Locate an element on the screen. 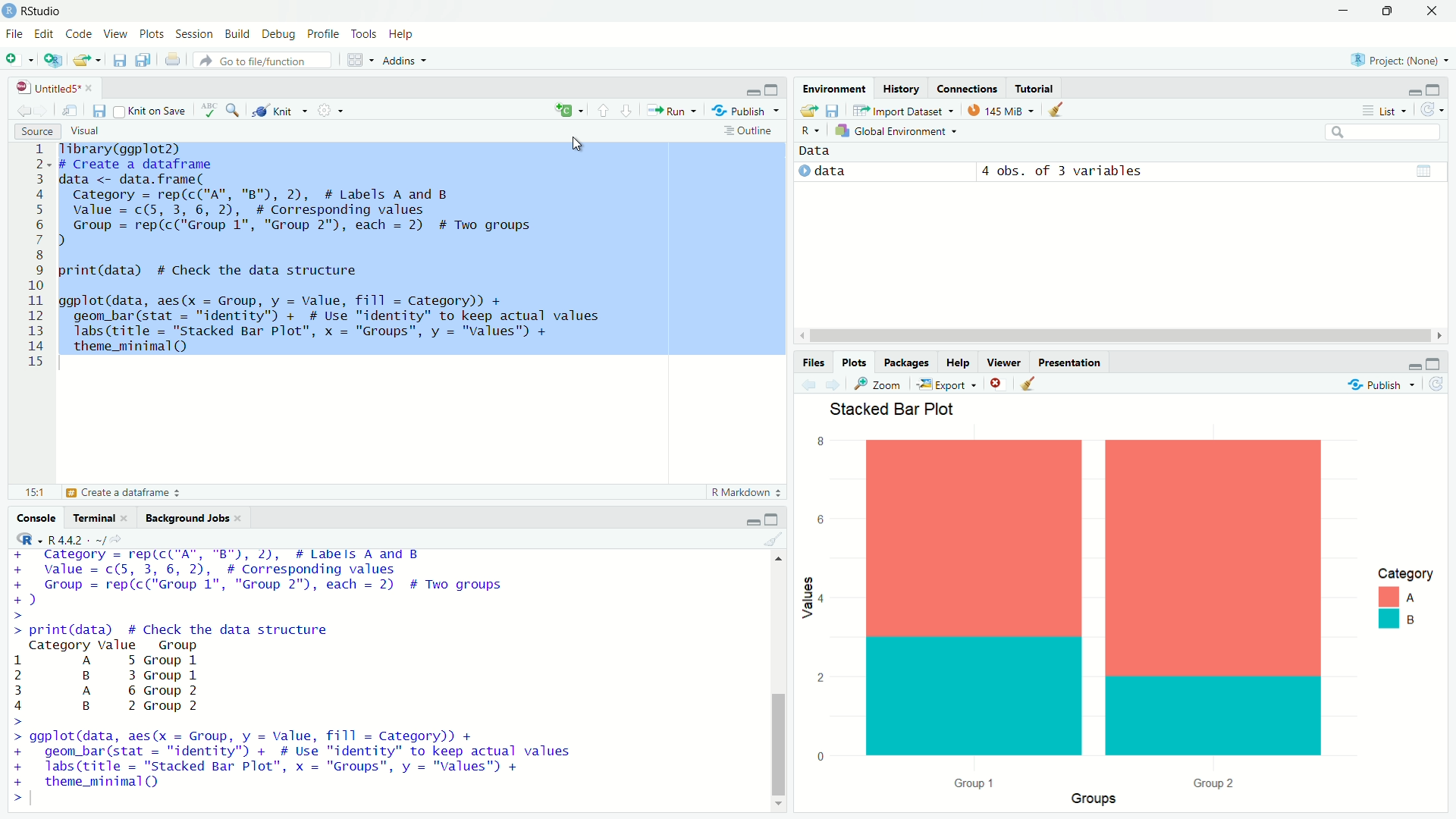 Image resolution: width=1456 pixels, height=819 pixels. kib used by R session (Source: Windows System) is located at coordinates (1001, 109).